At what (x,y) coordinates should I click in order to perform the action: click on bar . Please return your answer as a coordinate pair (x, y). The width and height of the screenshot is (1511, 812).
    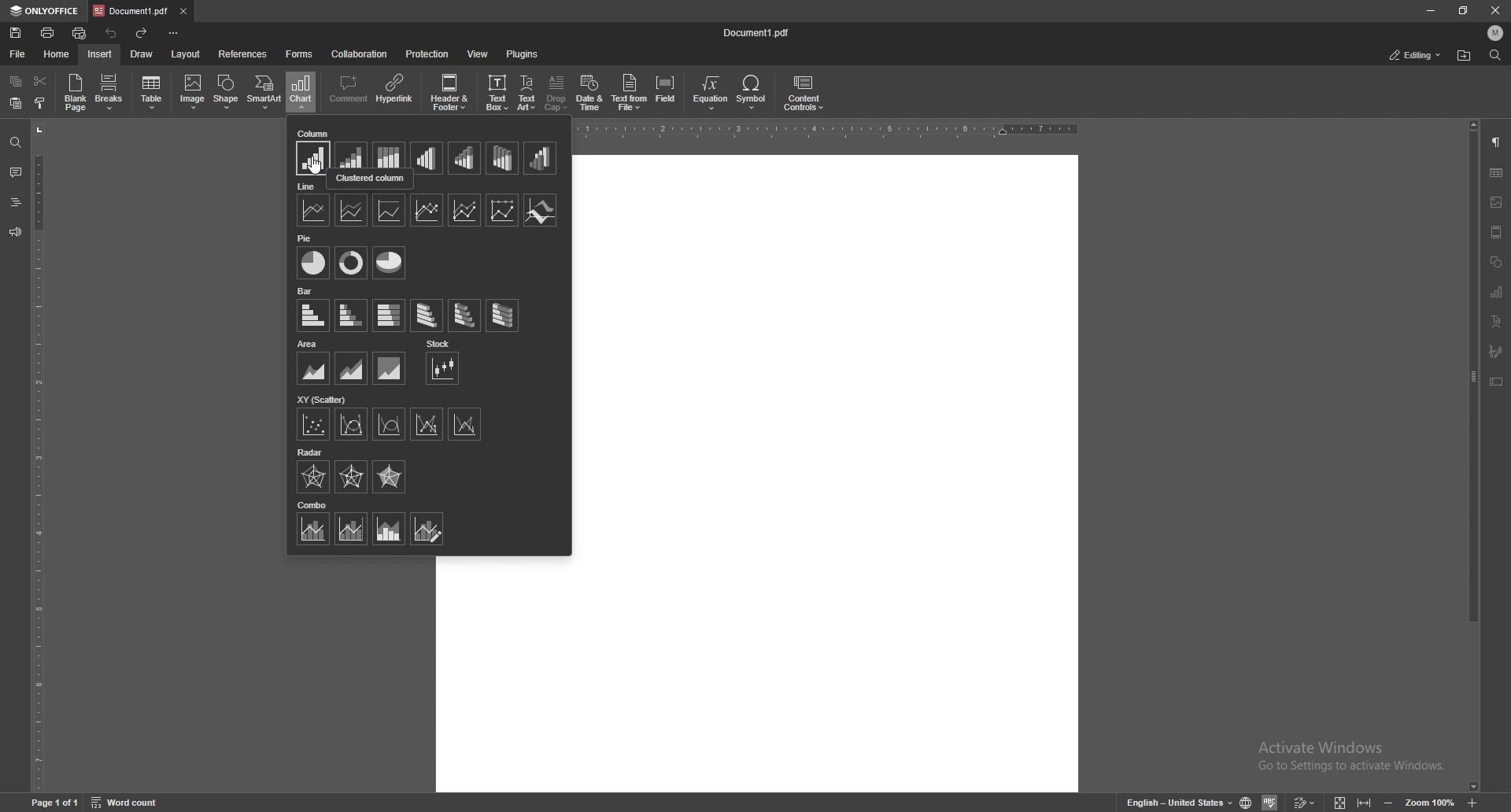
    Looking at the image, I should click on (308, 291).